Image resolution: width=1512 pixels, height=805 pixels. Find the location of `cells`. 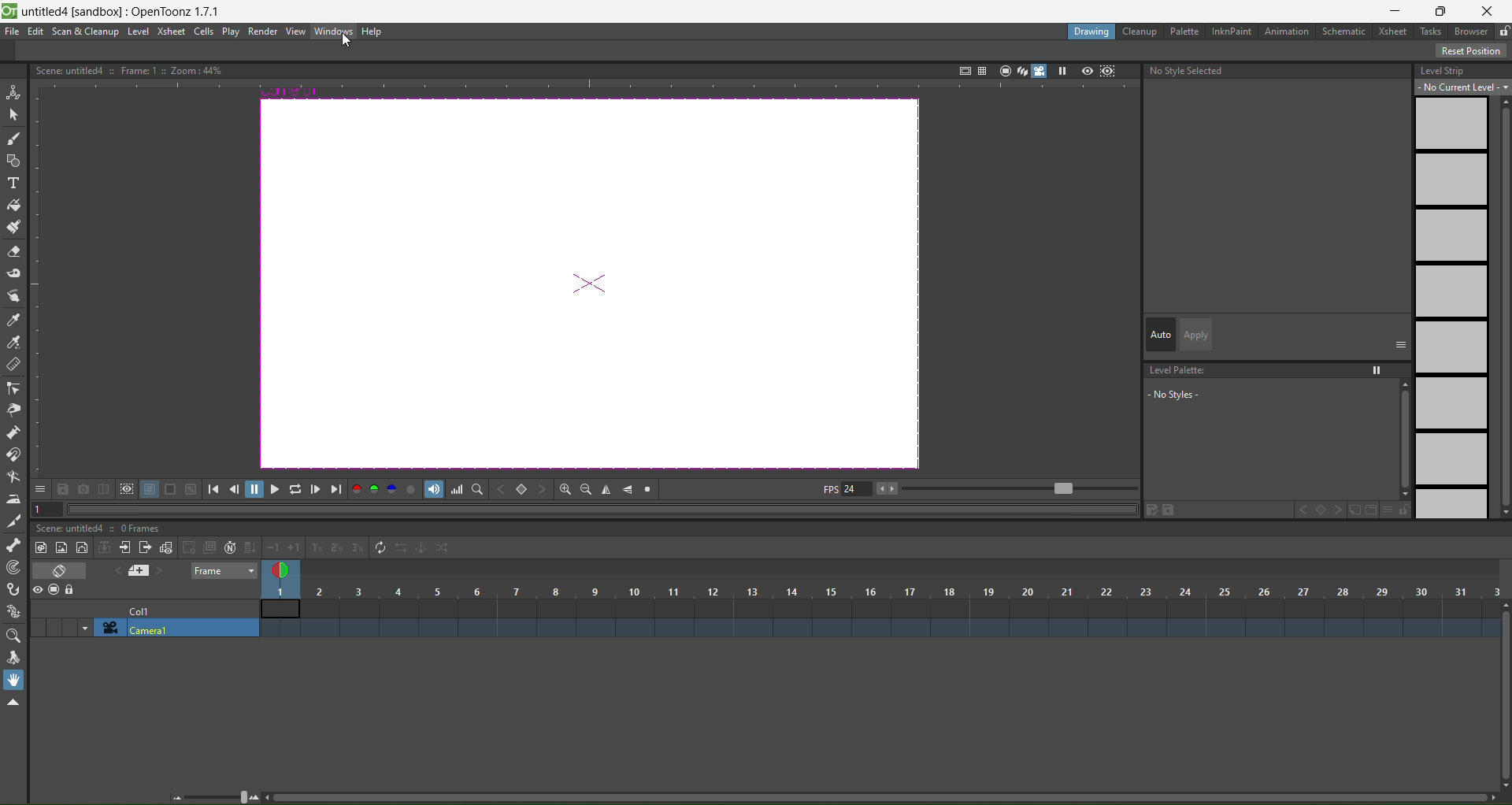

cells is located at coordinates (205, 31).